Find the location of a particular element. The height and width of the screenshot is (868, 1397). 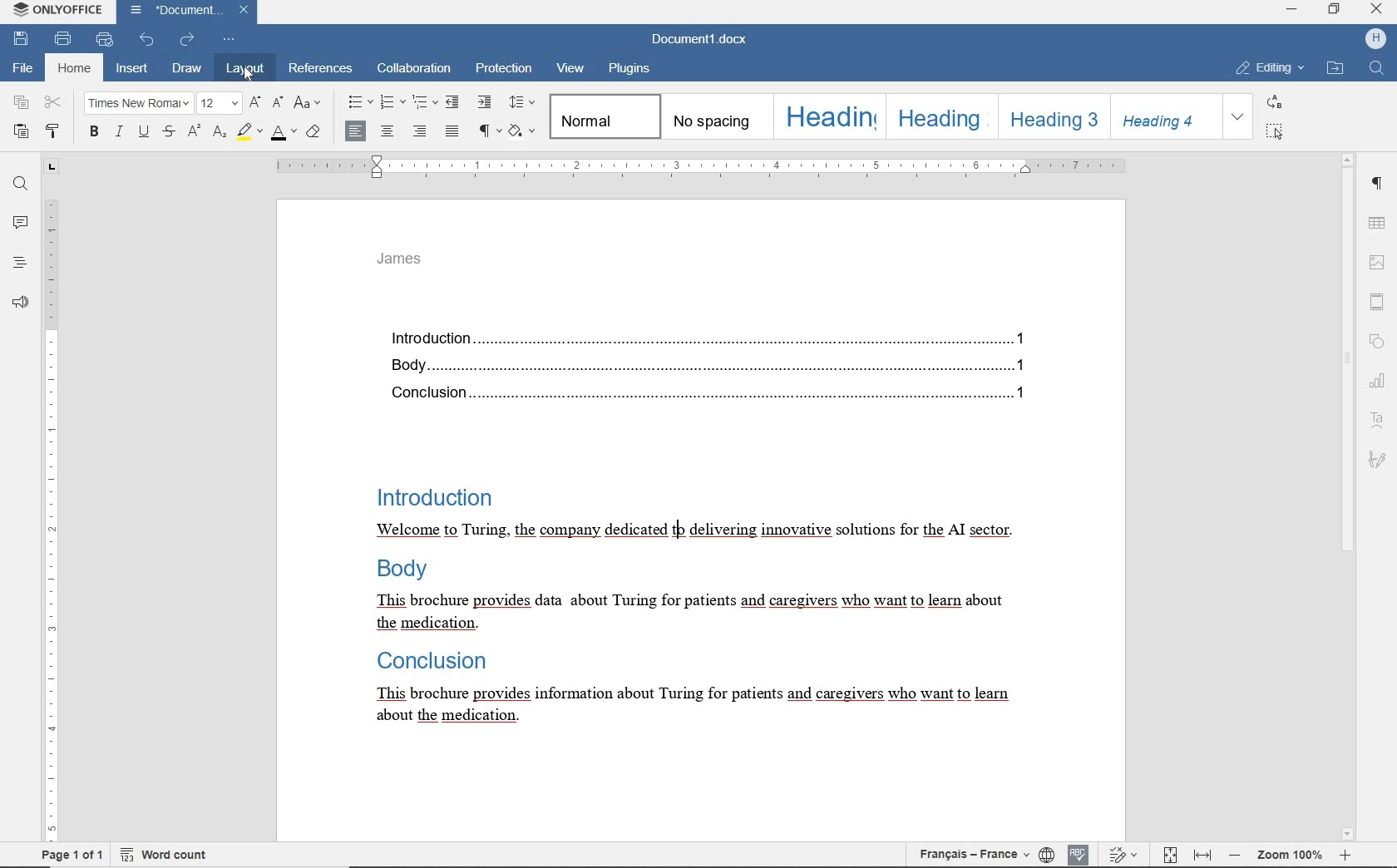

headings is located at coordinates (17, 263).